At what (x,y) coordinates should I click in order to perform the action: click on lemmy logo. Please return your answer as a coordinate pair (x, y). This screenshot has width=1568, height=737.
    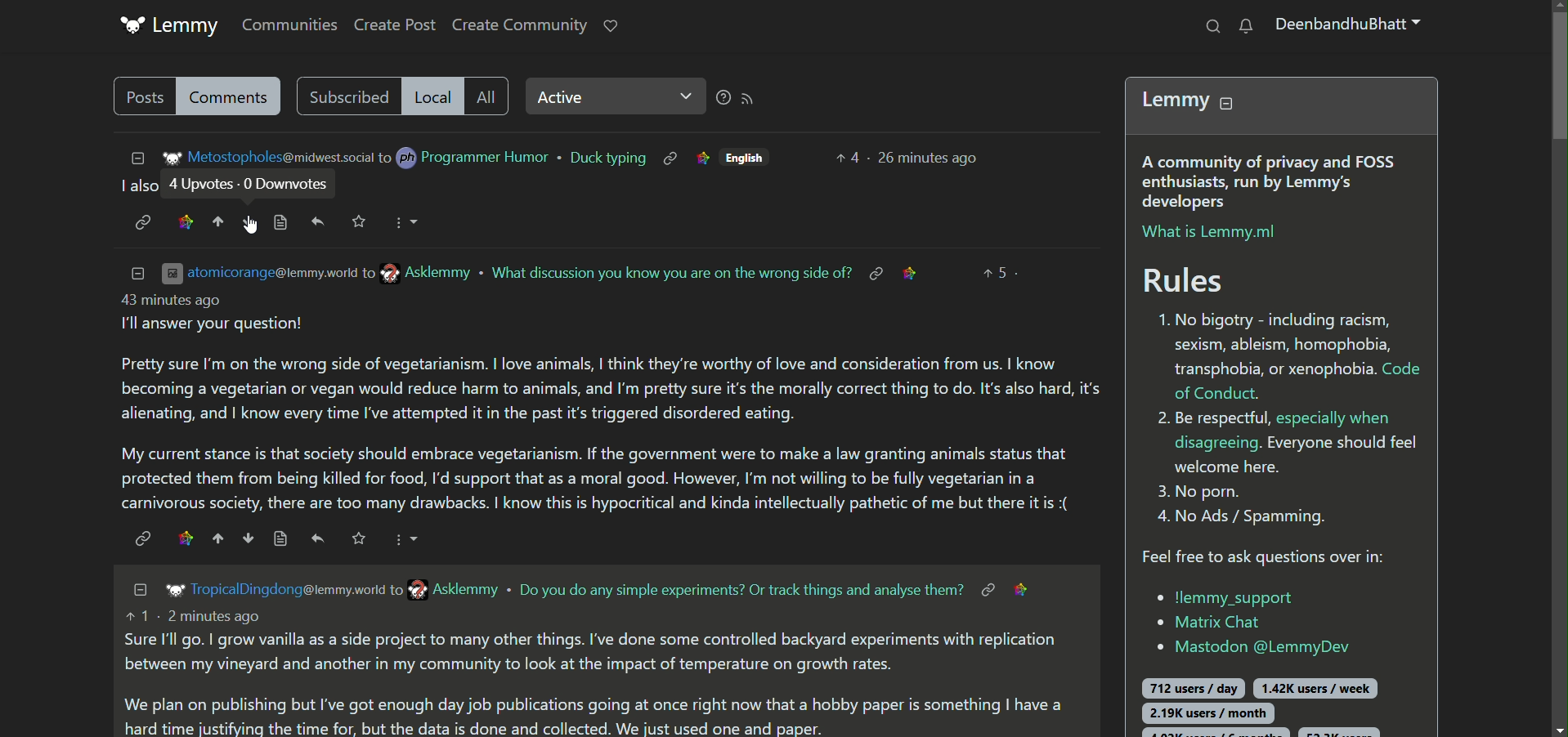
    Looking at the image, I should click on (171, 591).